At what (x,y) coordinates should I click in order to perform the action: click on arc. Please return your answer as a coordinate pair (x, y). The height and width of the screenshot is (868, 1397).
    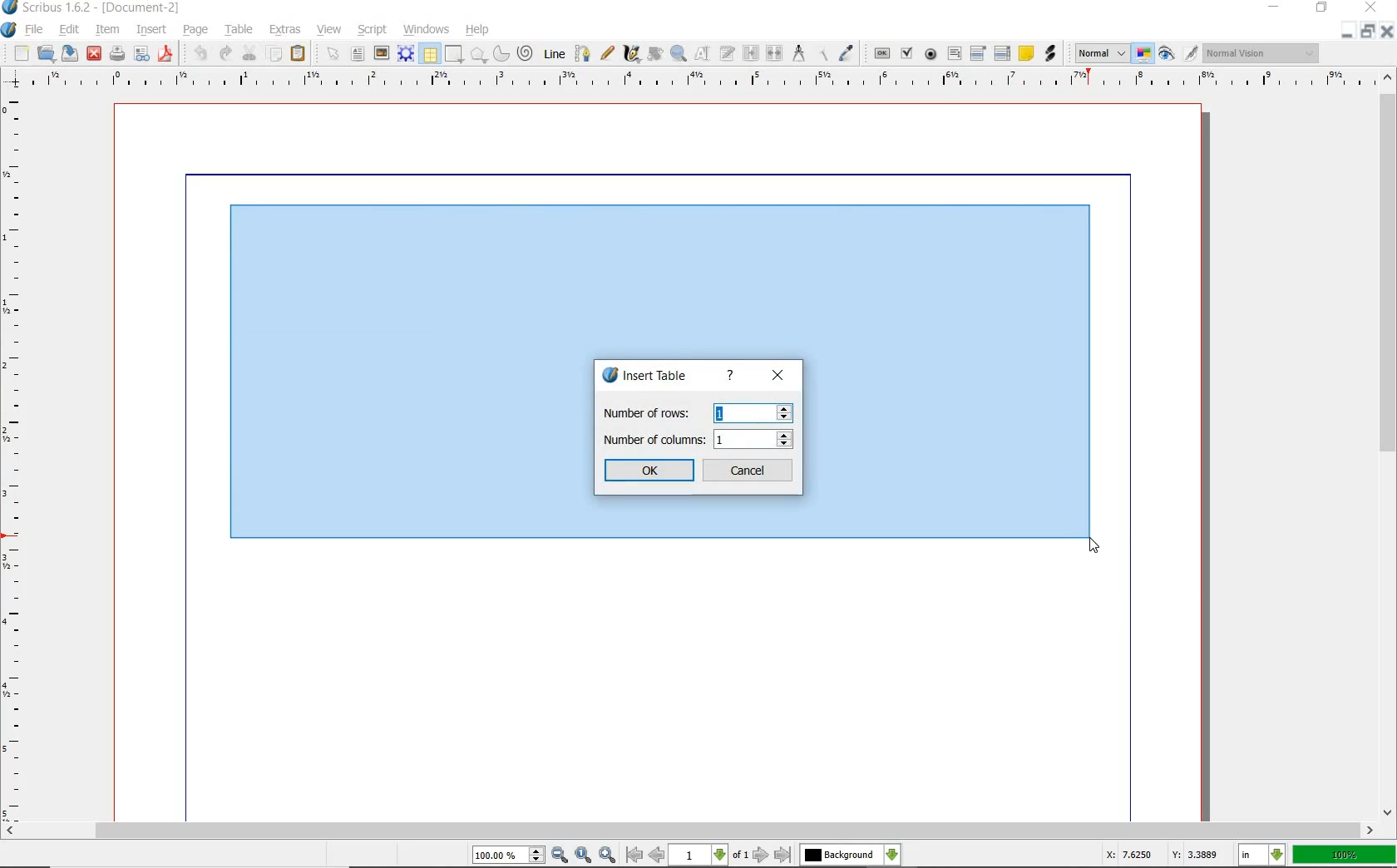
    Looking at the image, I should click on (501, 57).